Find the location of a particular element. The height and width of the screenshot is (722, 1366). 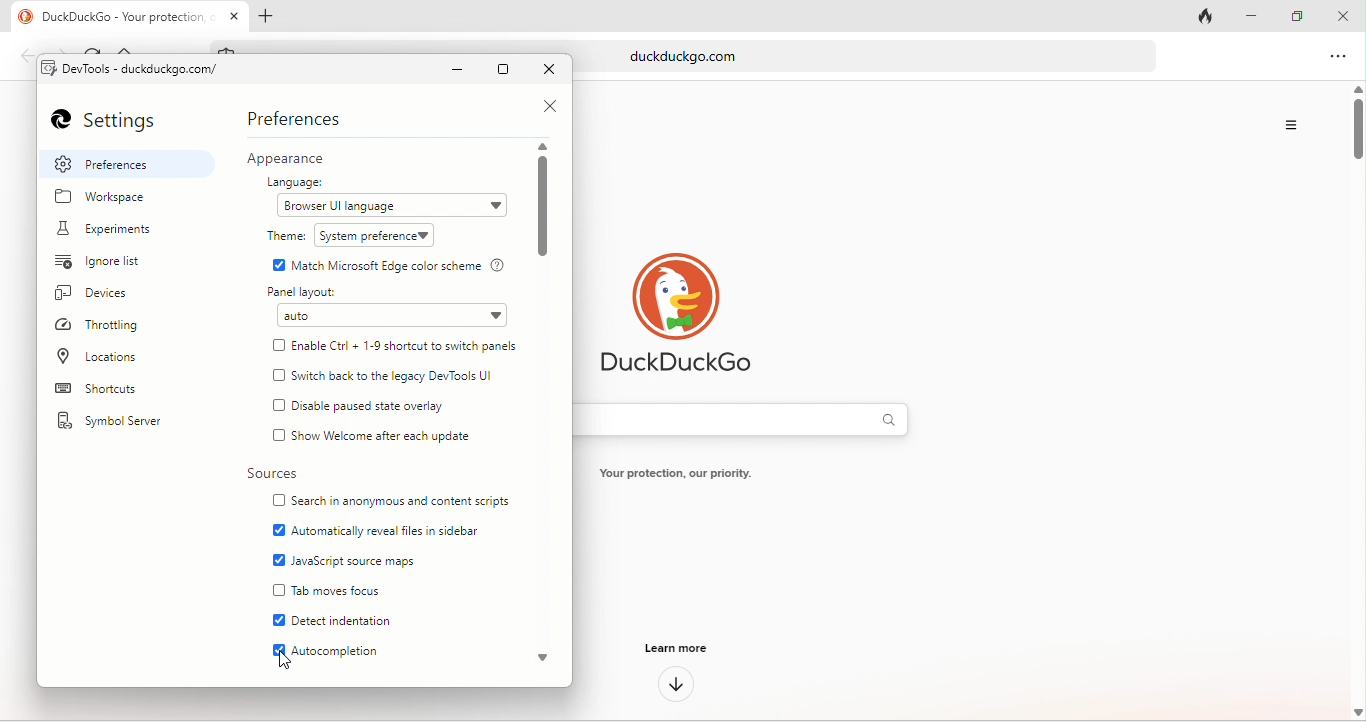

java script source maps is located at coordinates (362, 558).